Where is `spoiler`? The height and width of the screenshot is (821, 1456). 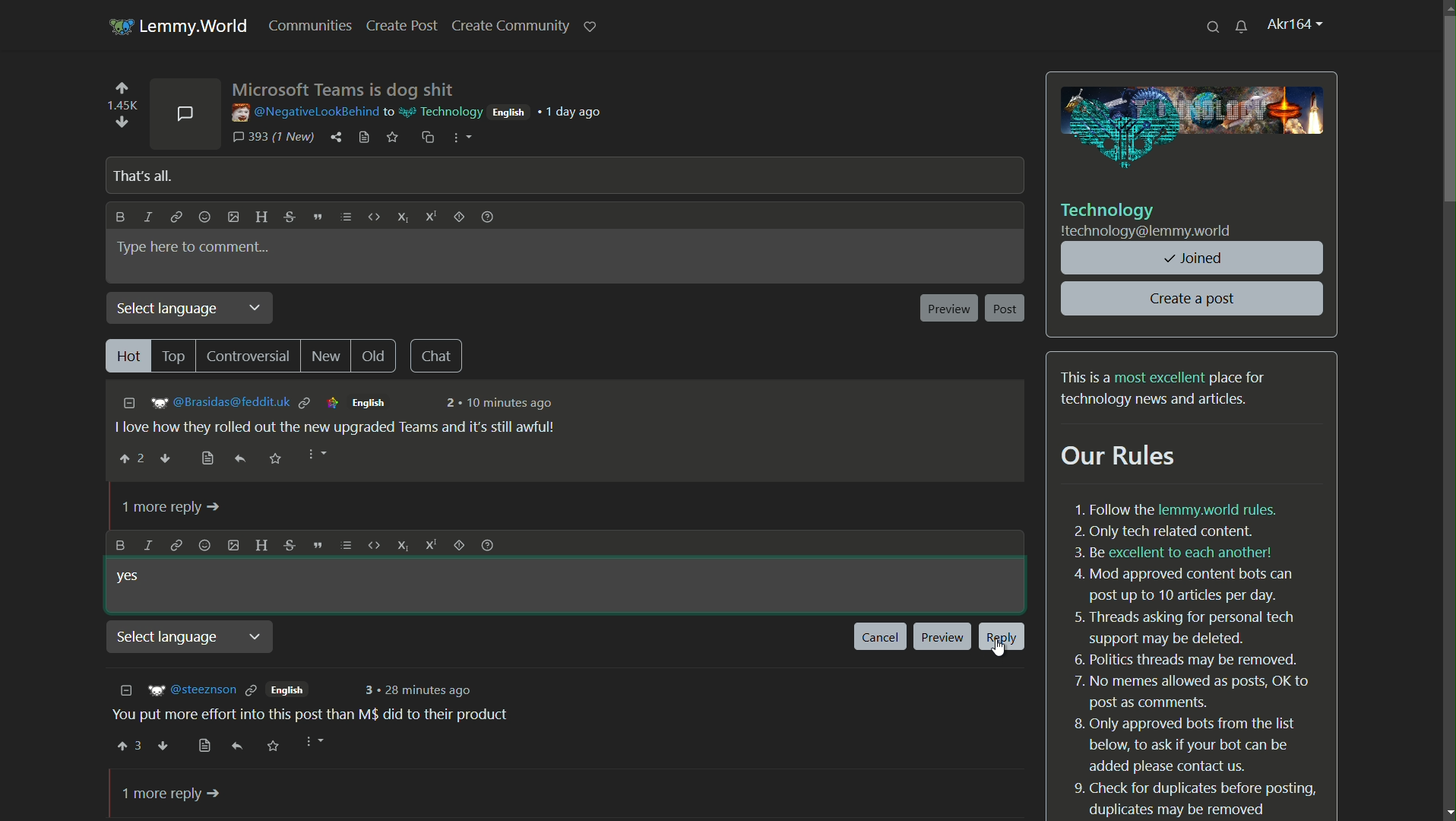 spoiler is located at coordinates (459, 220).